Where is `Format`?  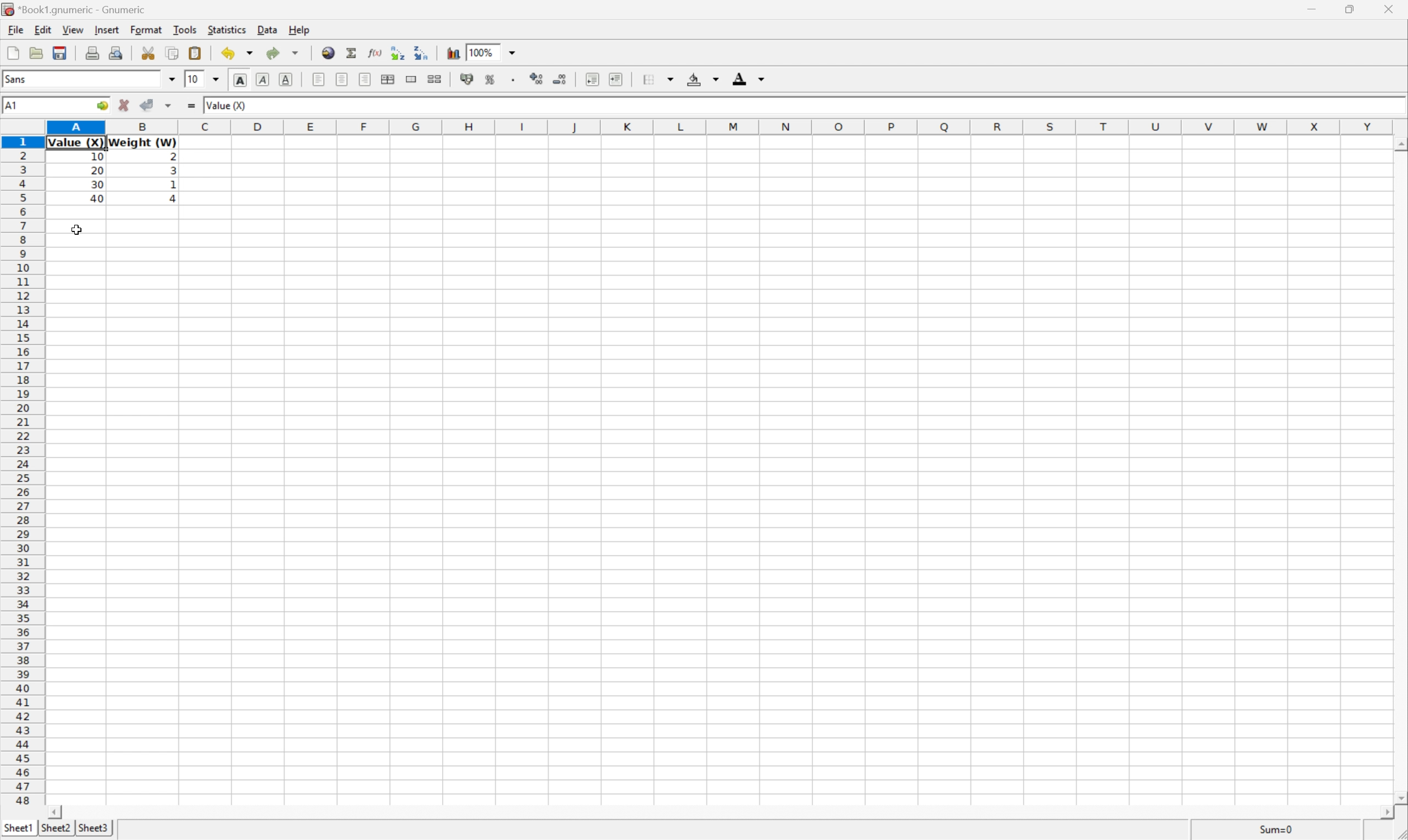
Format is located at coordinates (146, 30).